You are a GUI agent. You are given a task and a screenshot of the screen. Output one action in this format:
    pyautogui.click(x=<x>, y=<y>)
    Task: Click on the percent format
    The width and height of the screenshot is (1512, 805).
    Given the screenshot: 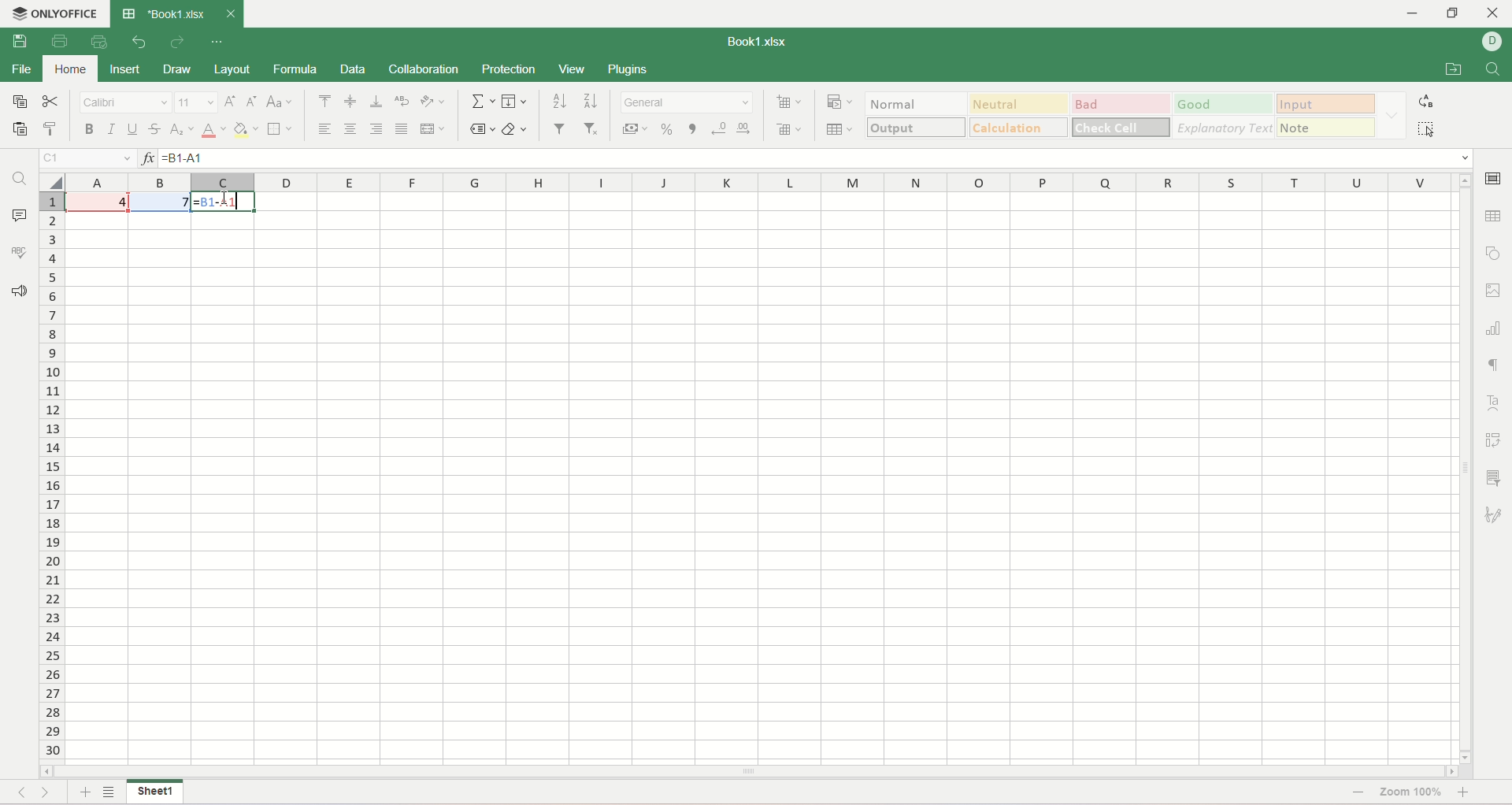 What is the action you would take?
    pyautogui.click(x=666, y=128)
    